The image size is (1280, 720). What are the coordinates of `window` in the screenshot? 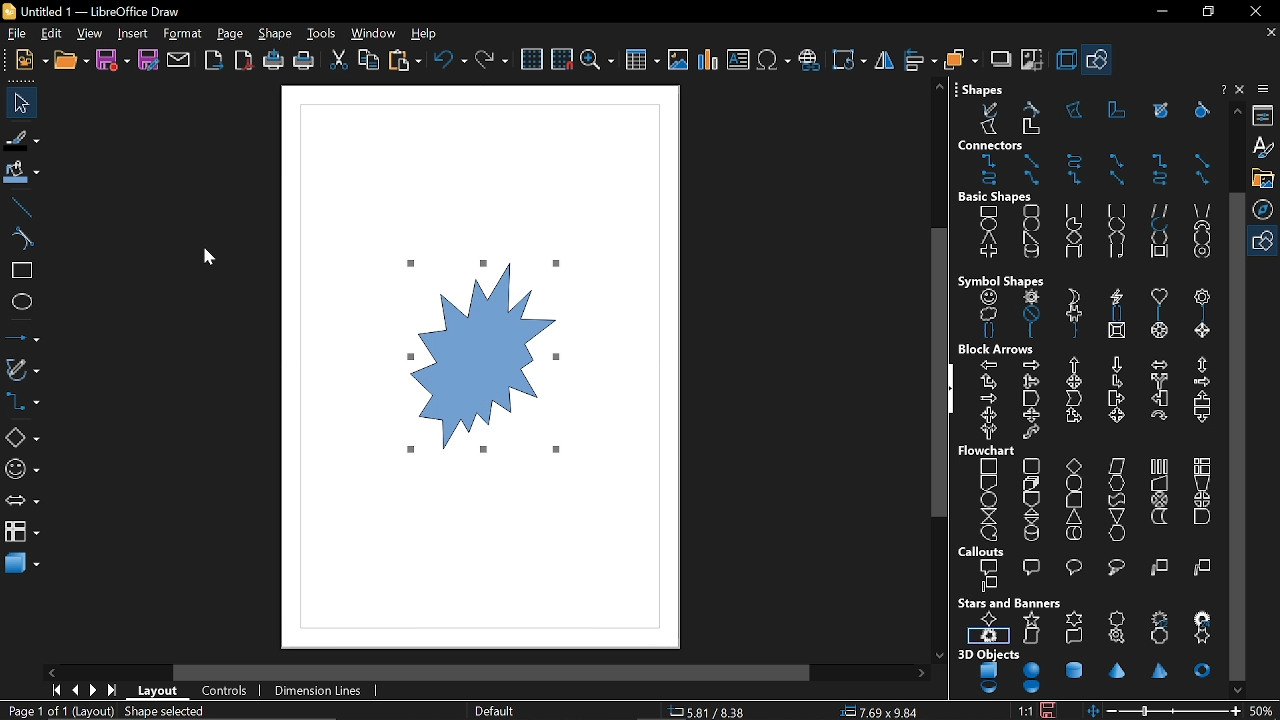 It's located at (374, 34).